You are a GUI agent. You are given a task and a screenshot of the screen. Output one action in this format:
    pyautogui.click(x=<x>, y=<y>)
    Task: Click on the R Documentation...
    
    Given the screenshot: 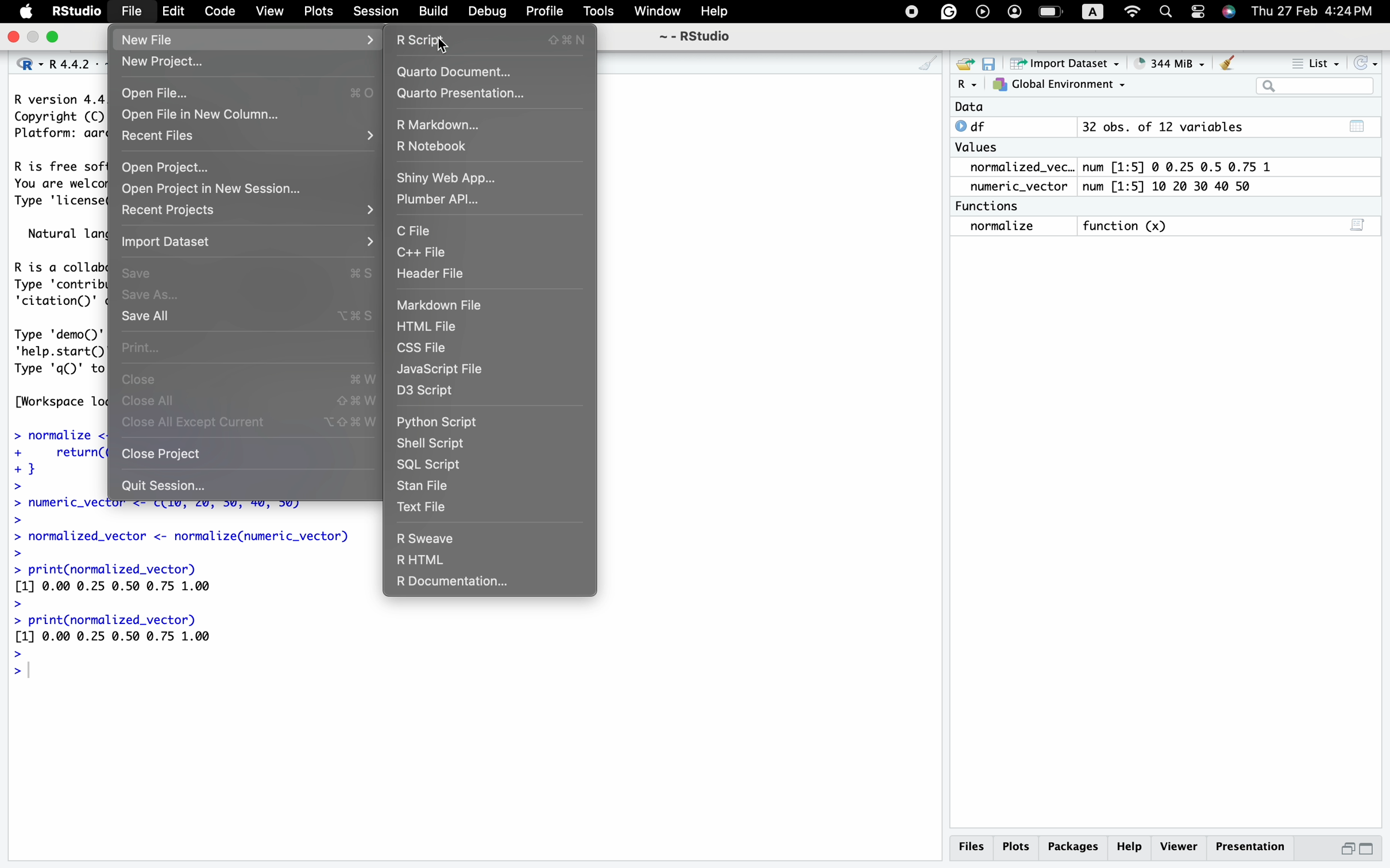 What is the action you would take?
    pyautogui.click(x=450, y=584)
    